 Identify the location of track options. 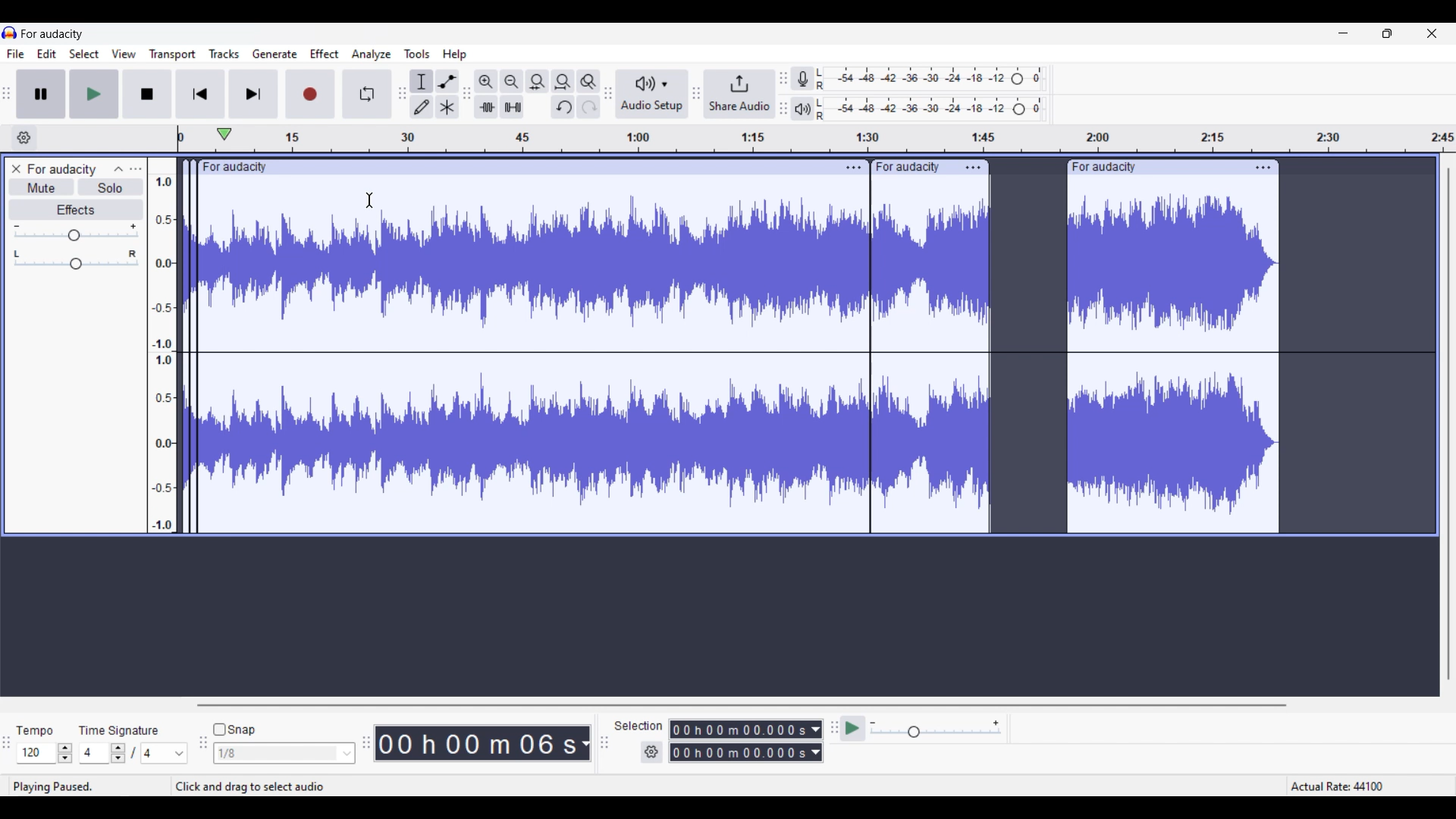
(1264, 166).